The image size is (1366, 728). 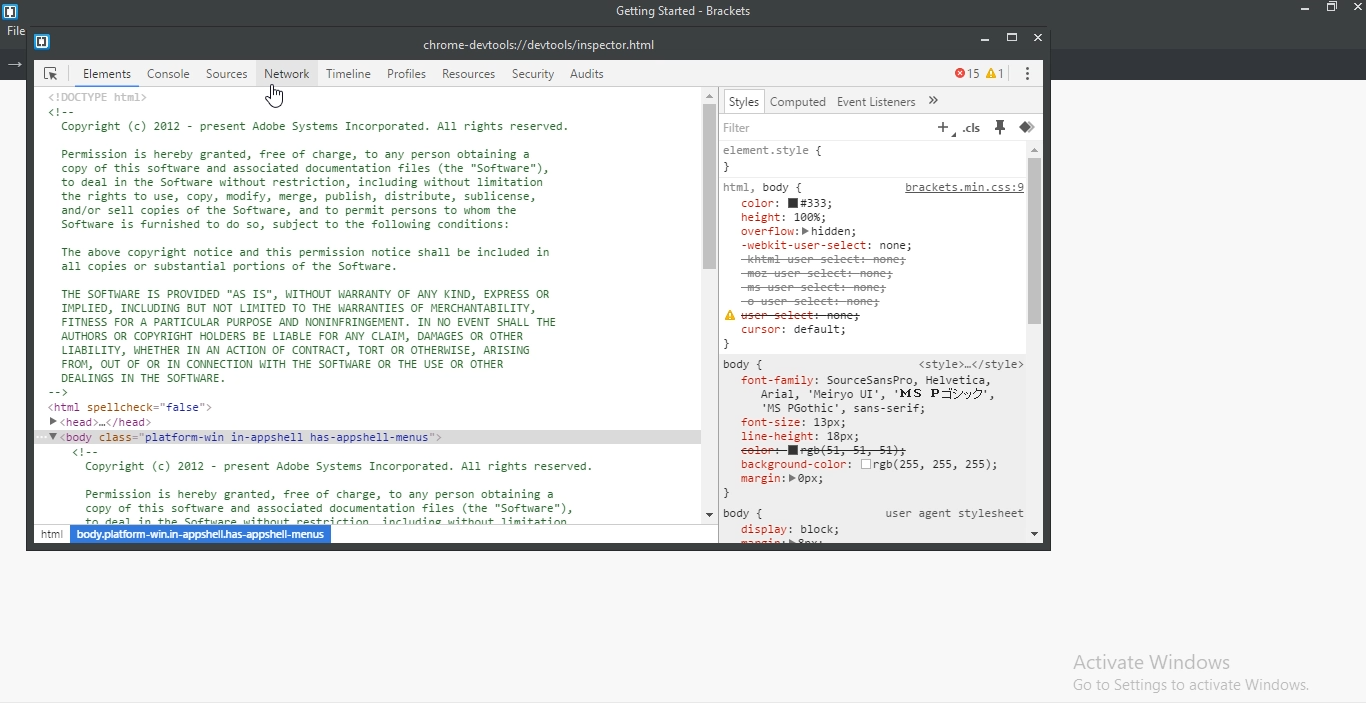 I want to click on elements, so click(x=104, y=75).